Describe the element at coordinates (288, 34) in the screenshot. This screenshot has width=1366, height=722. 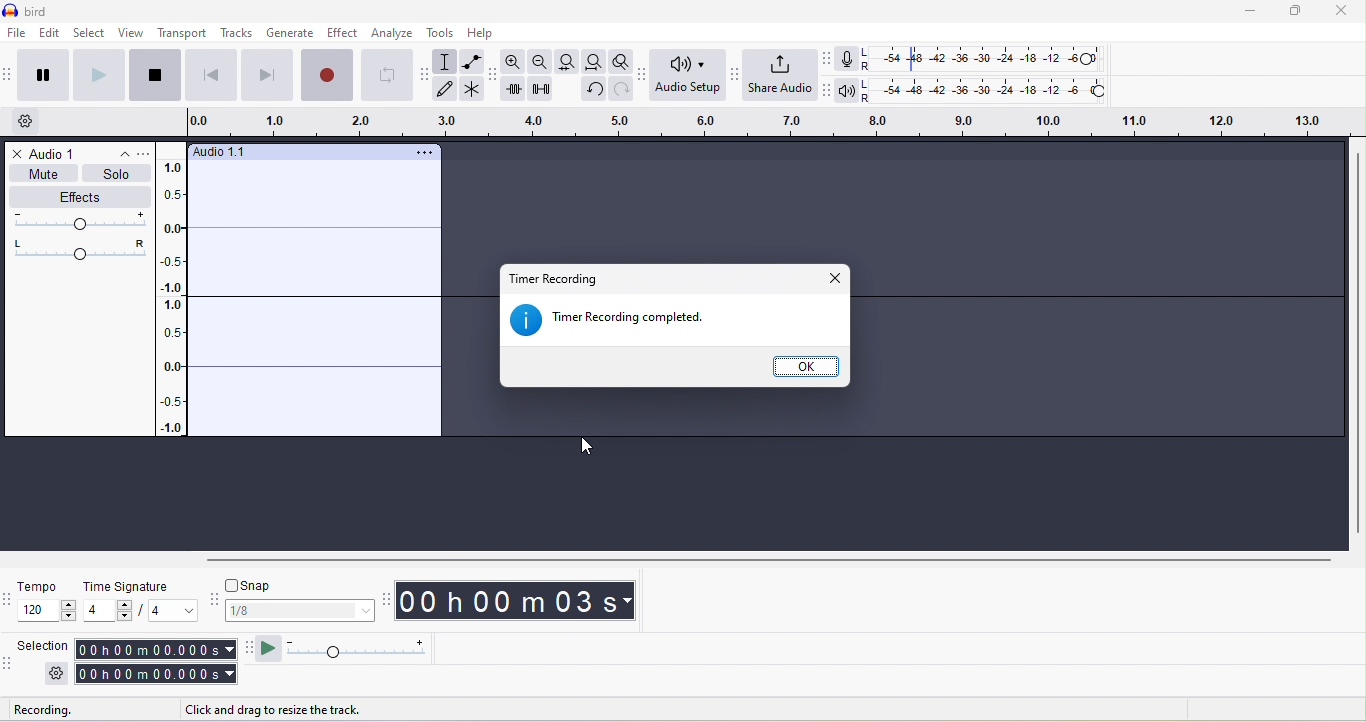
I see `generate` at that location.